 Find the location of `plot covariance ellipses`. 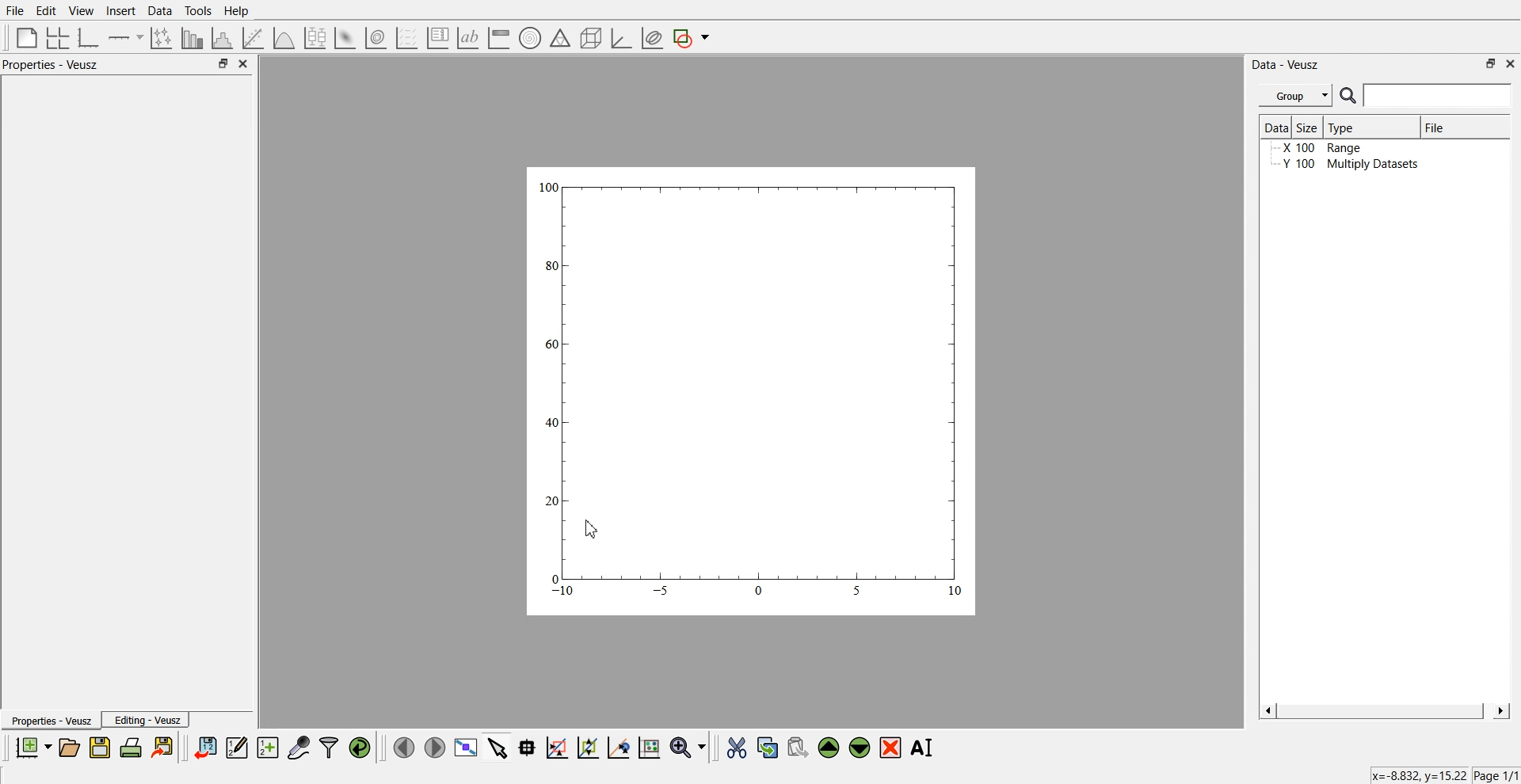

plot covariance ellipses is located at coordinates (651, 39).